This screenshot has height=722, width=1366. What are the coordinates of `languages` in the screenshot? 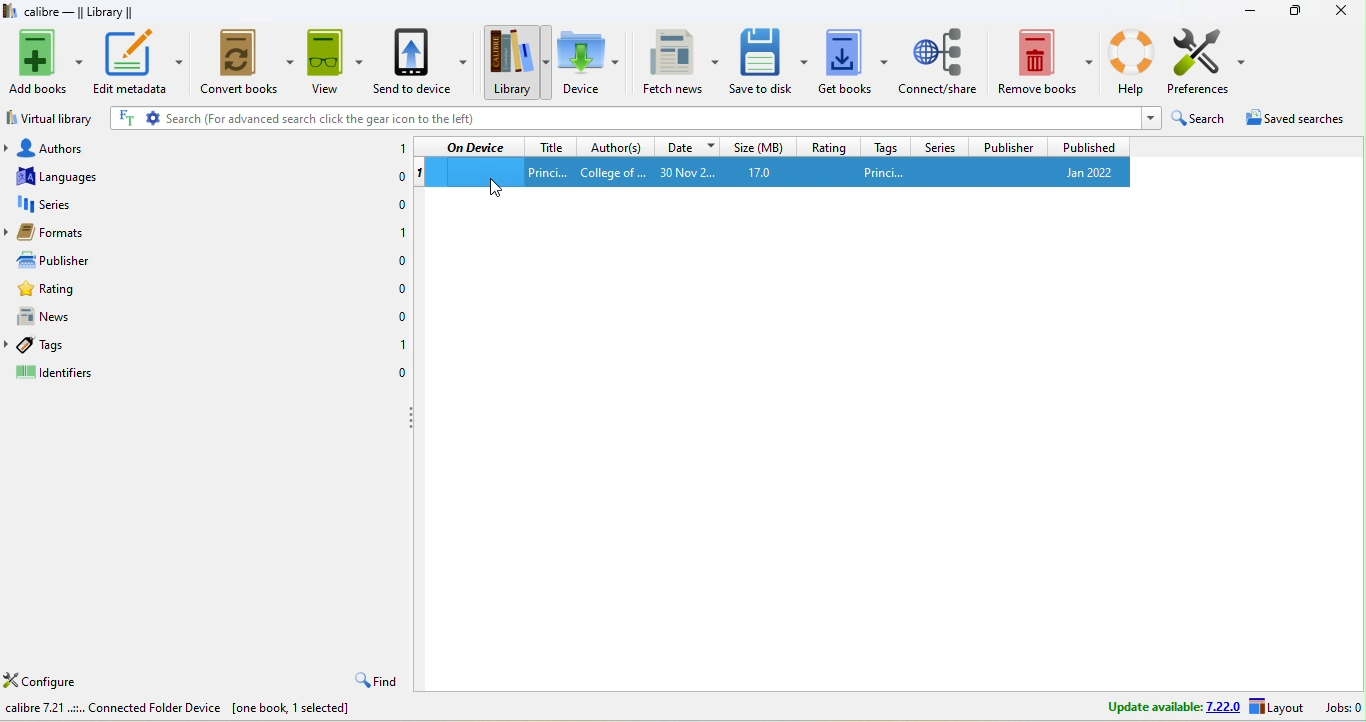 It's located at (56, 175).